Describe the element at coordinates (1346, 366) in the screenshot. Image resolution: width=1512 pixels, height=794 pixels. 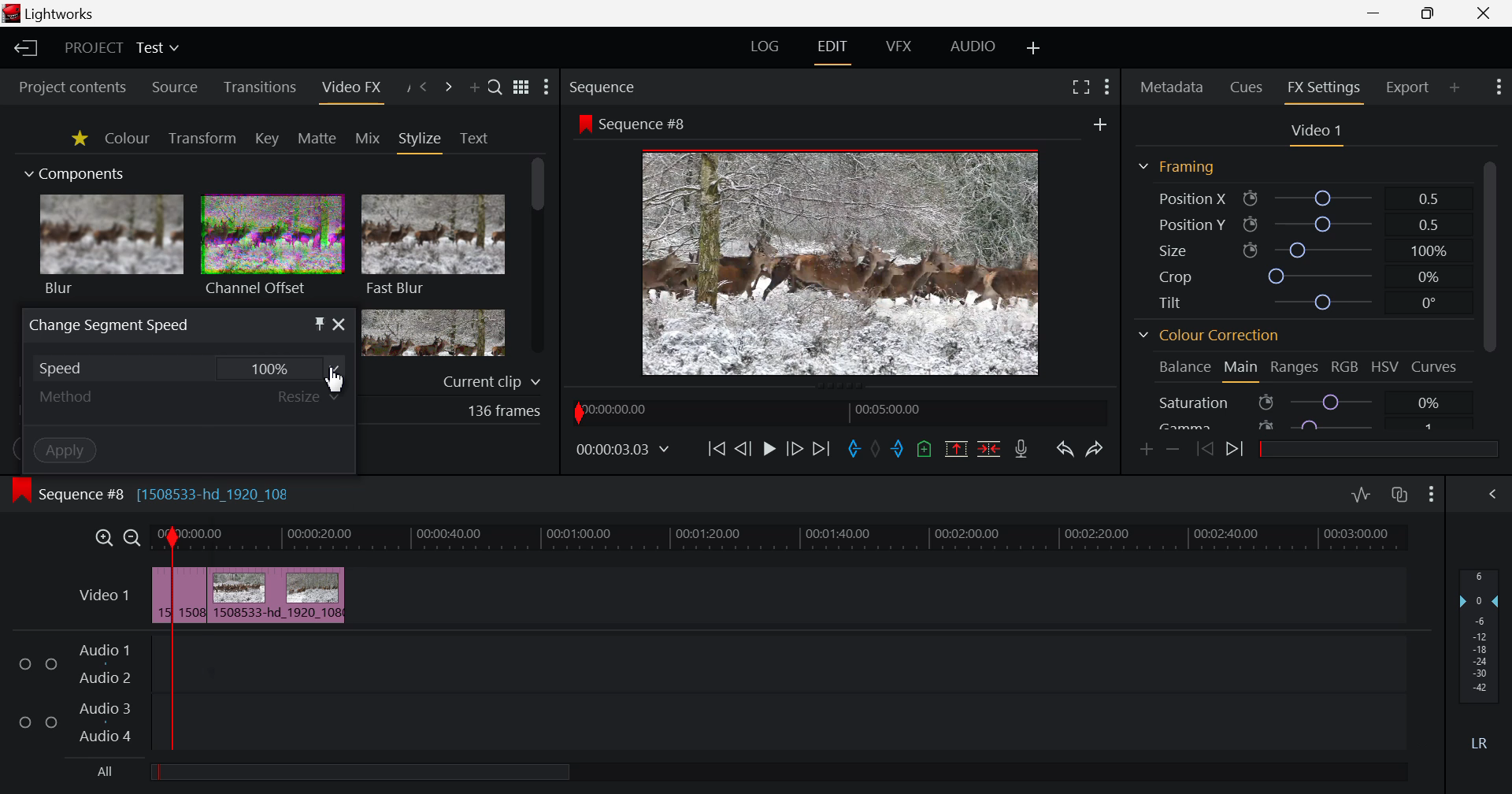
I see `RGB` at that location.